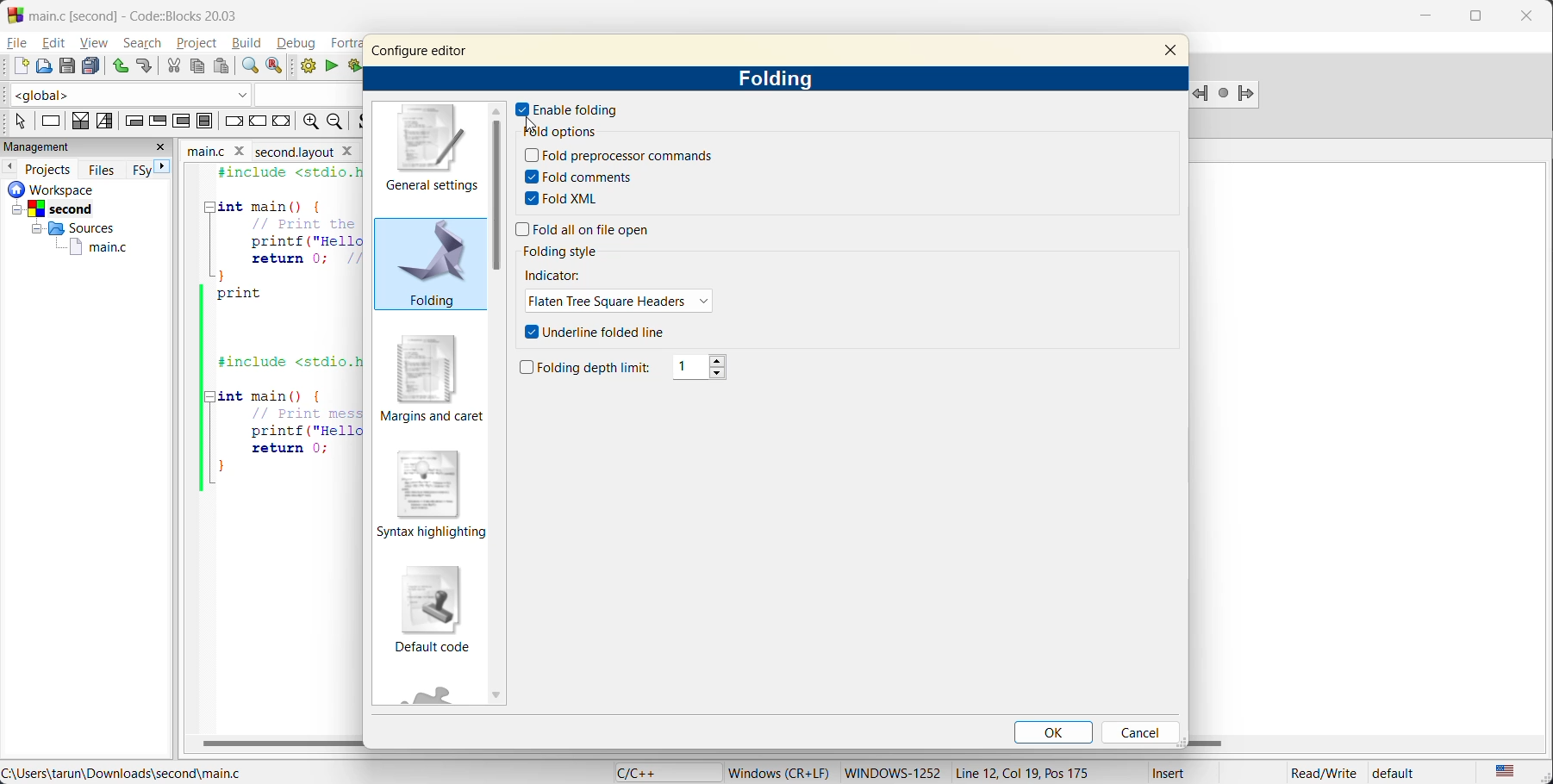  I want to click on general settings, so click(424, 153).